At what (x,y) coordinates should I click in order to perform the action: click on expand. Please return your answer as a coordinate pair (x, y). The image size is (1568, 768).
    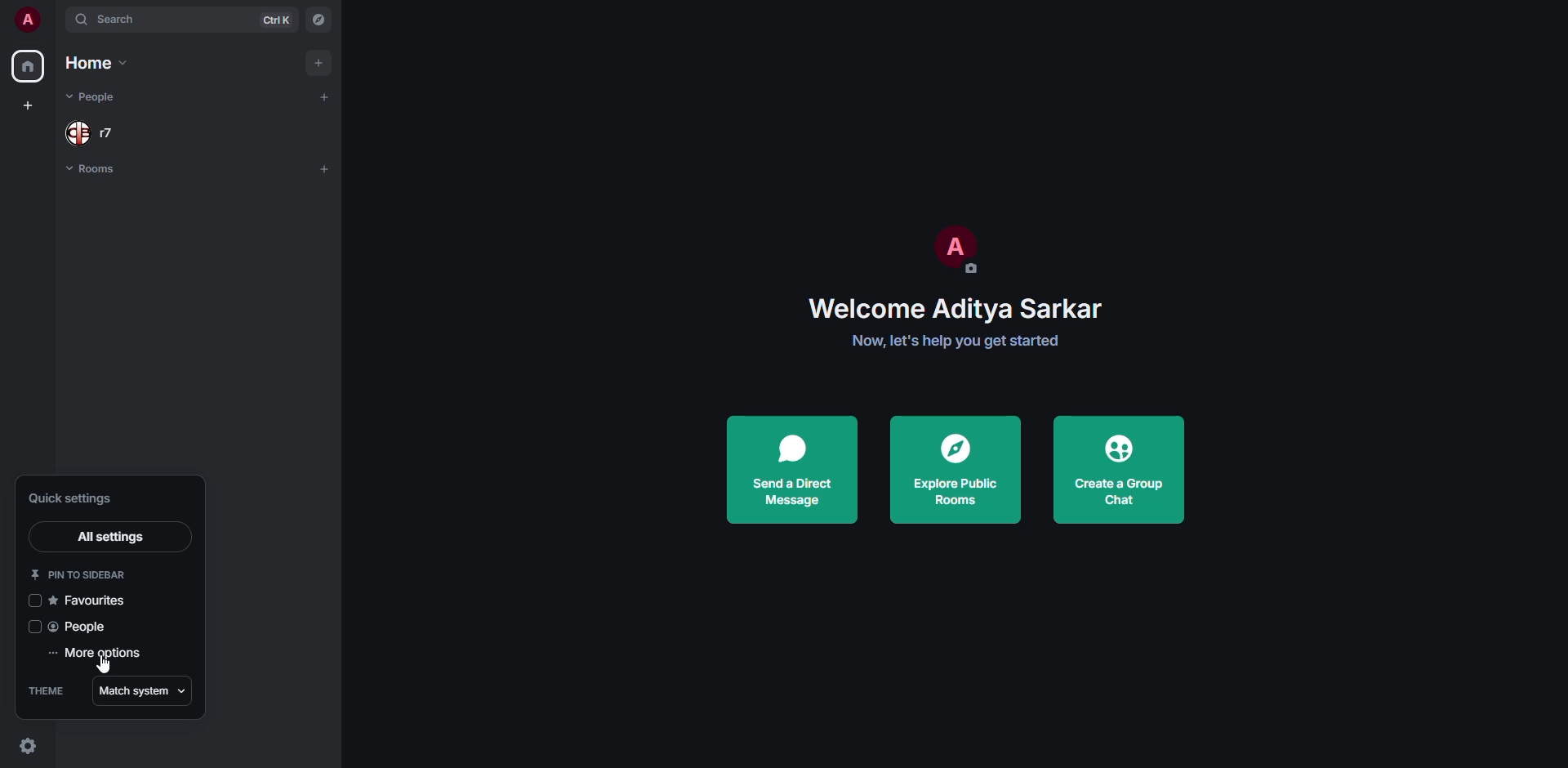
    Looking at the image, I should click on (56, 18).